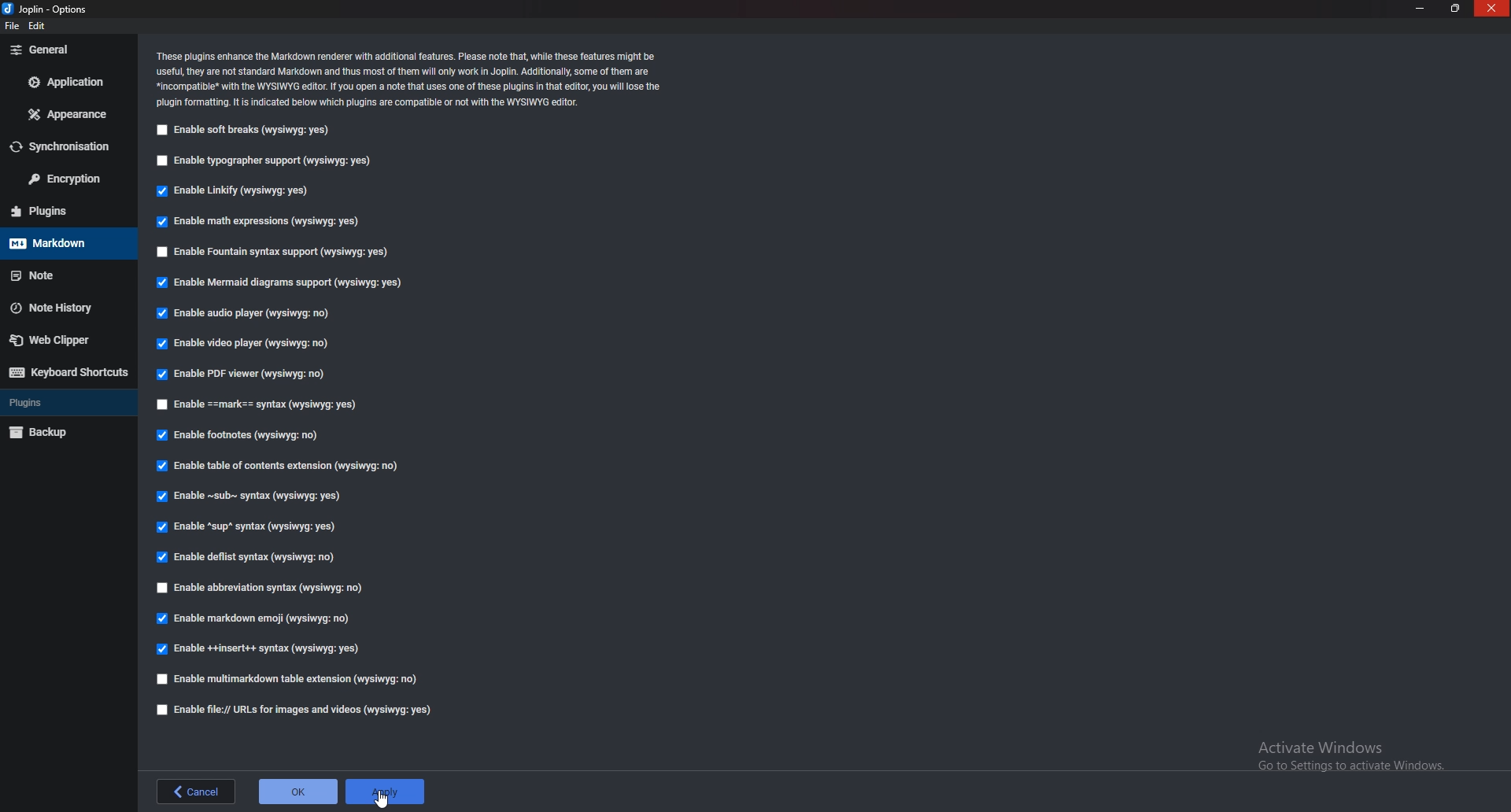  Describe the element at coordinates (53, 9) in the screenshot. I see `options` at that location.